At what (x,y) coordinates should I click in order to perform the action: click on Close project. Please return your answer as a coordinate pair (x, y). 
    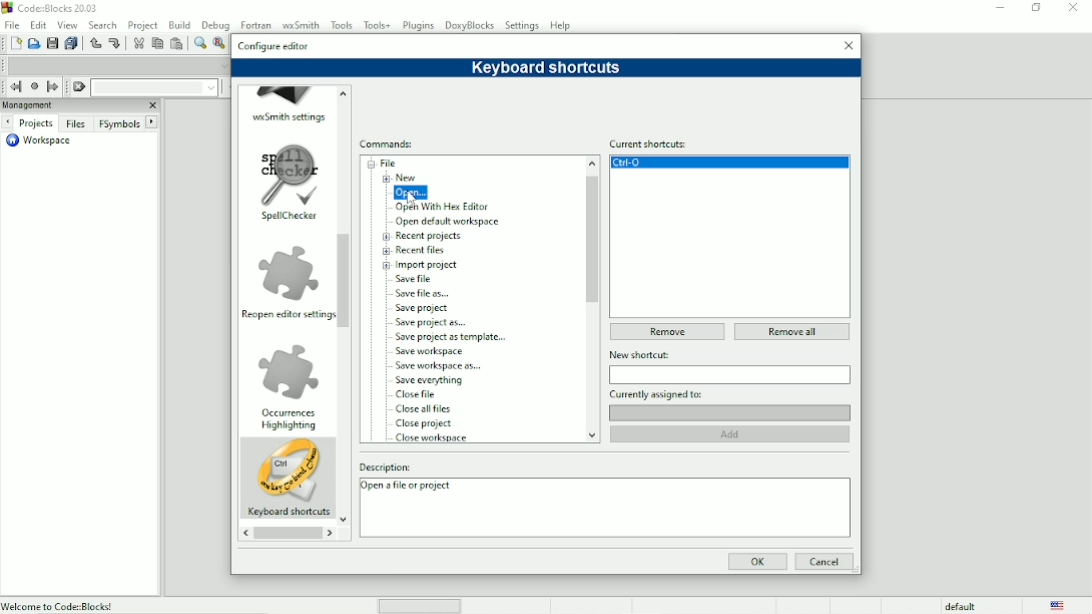
    Looking at the image, I should click on (425, 424).